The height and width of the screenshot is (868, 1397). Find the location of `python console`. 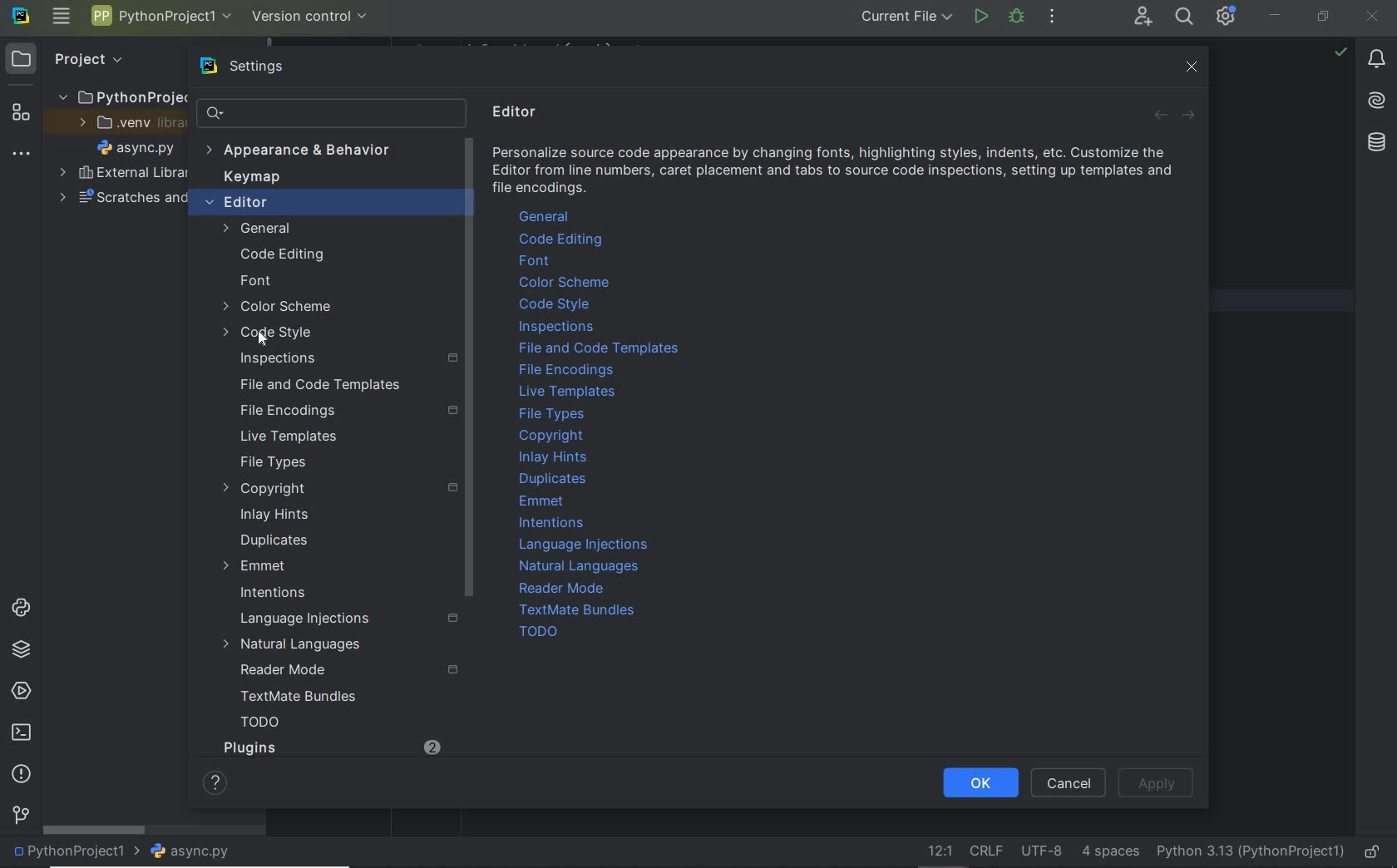

python console is located at coordinates (21, 609).